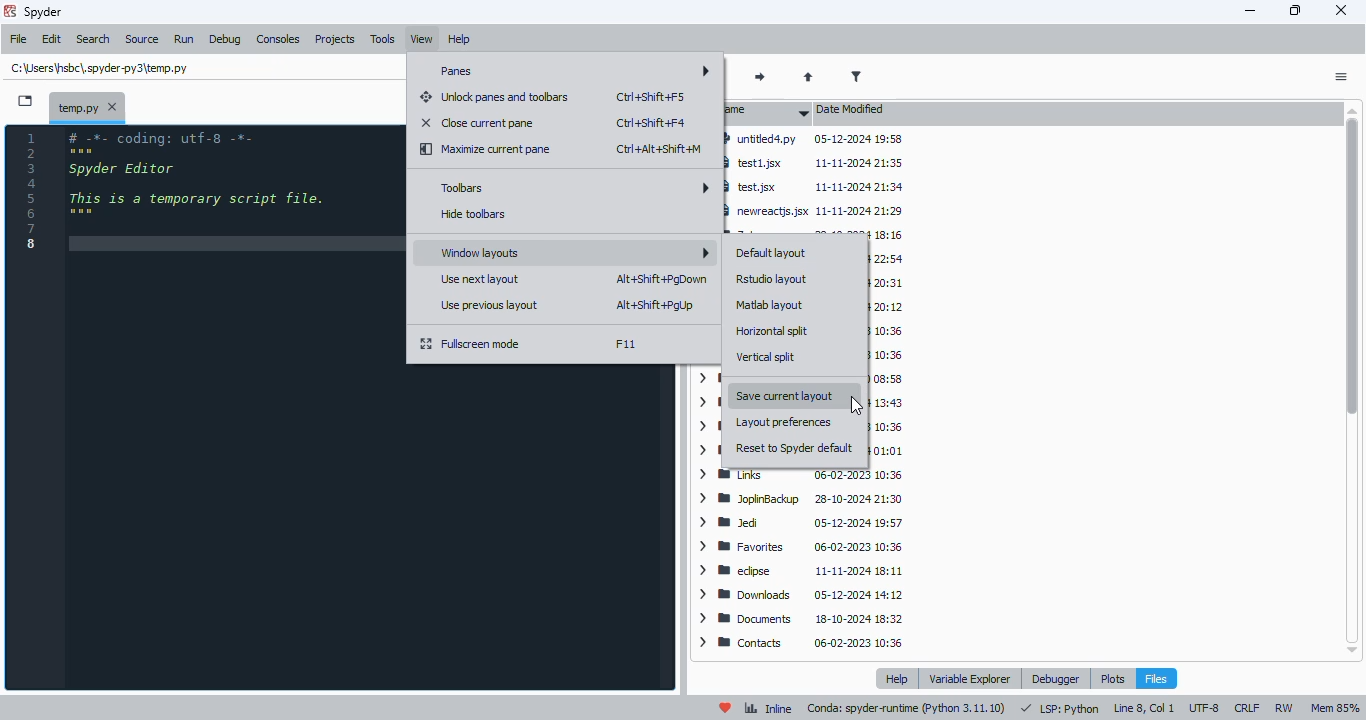 The width and height of the screenshot is (1366, 720). Describe the element at coordinates (854, 110) in the screenshot. I see `date modified` at that location.